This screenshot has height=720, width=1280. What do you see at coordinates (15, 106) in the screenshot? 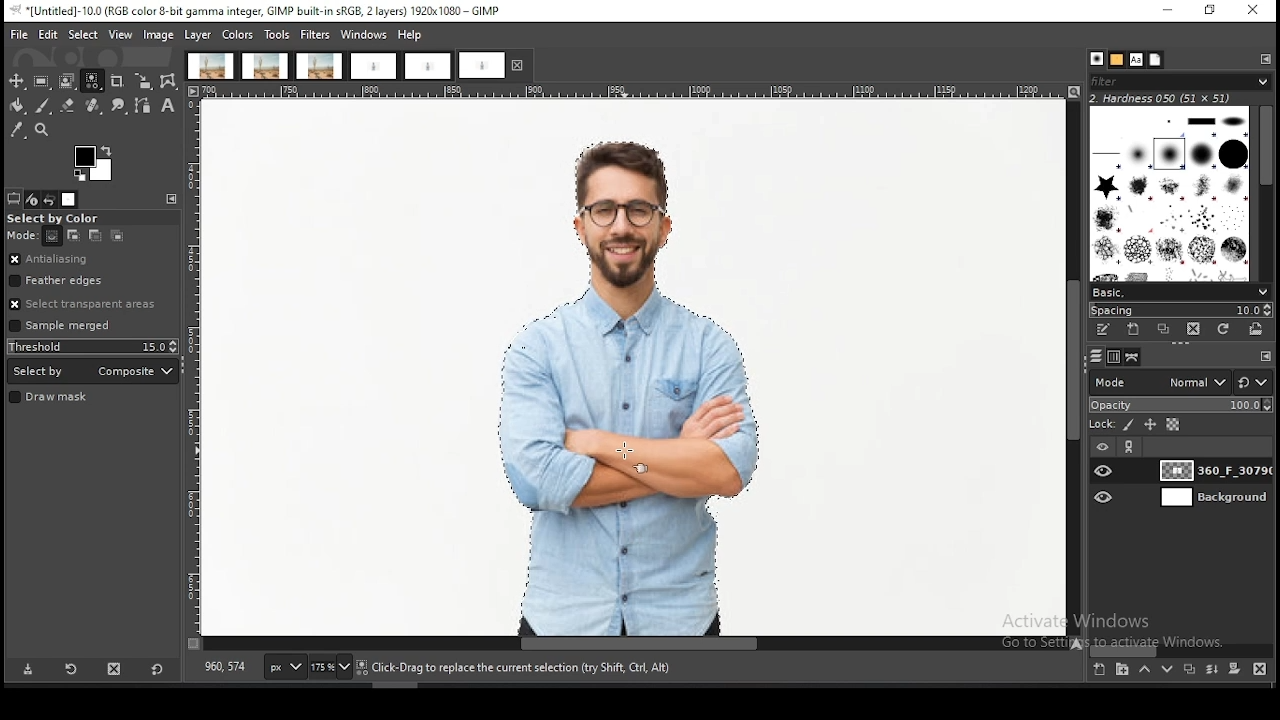
I see `paint bucket tool` at bounding box center [15, 106].